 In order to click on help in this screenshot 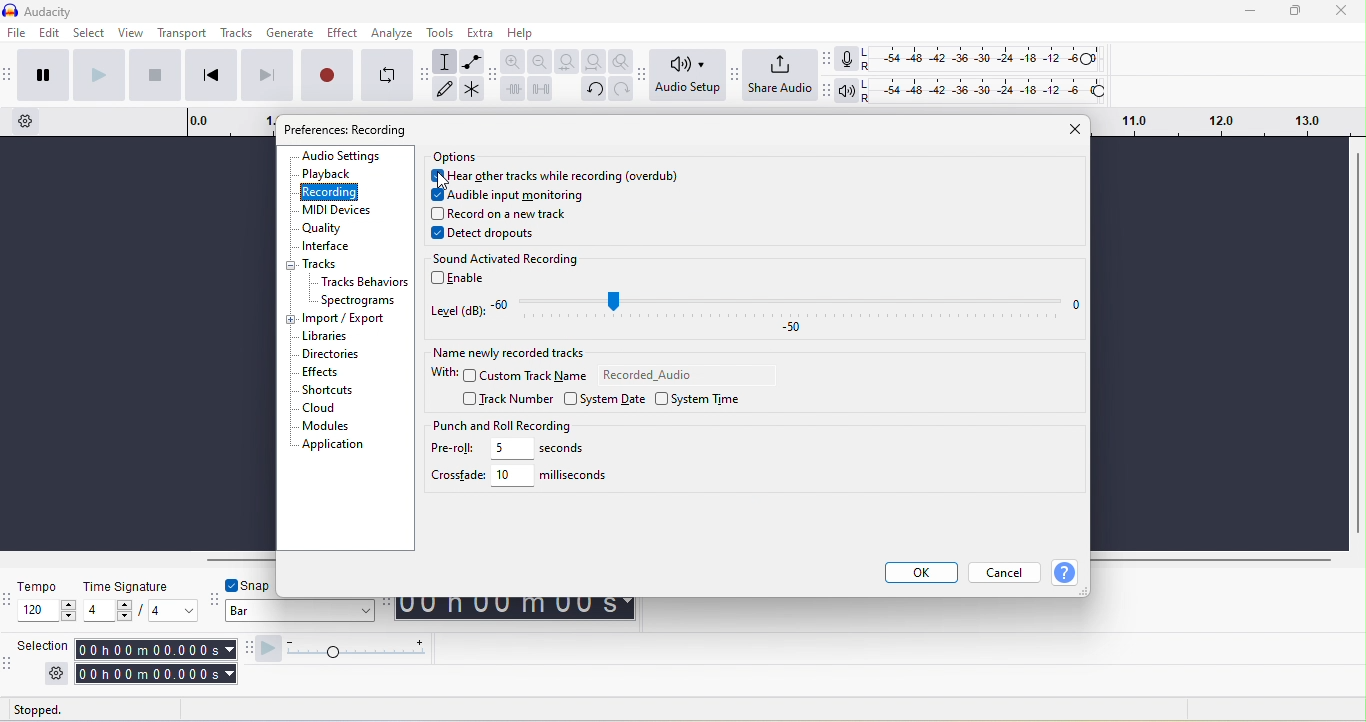, I will do `click(521, 33)`.